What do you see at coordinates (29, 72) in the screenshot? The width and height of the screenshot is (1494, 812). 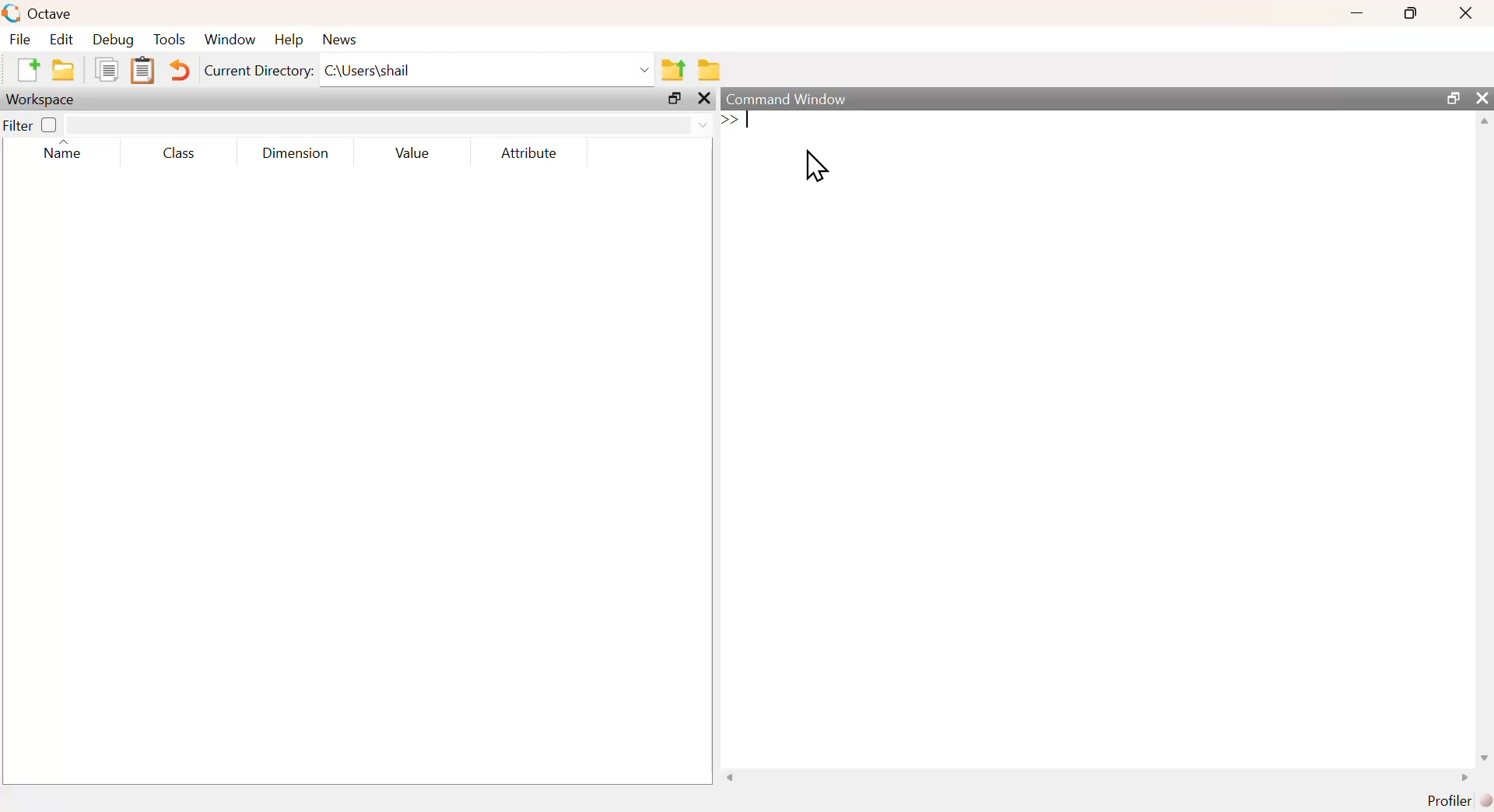 I see `new script` at bounding box center [29, 72].